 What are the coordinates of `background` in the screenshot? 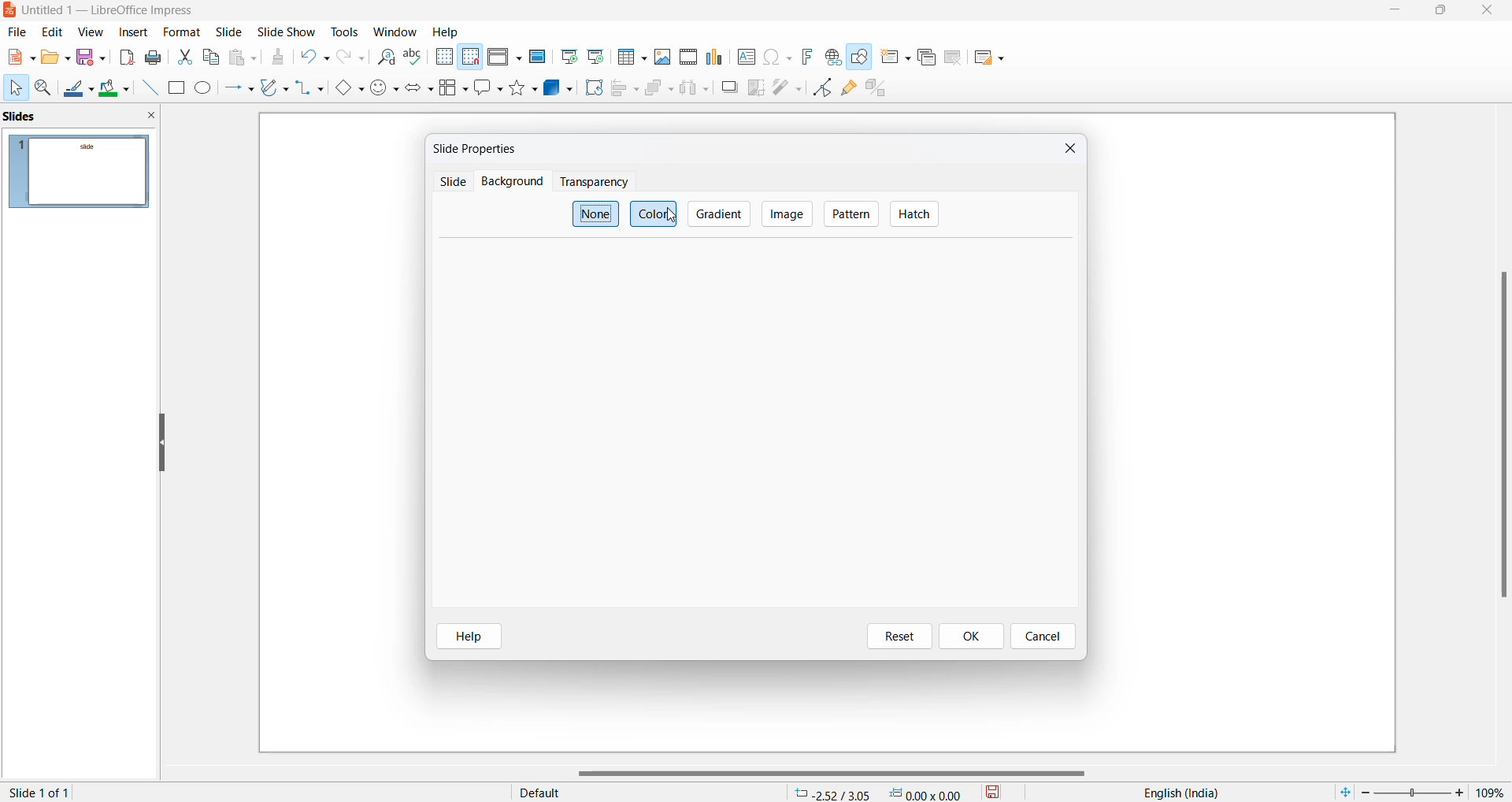 It's located at (509, 182).